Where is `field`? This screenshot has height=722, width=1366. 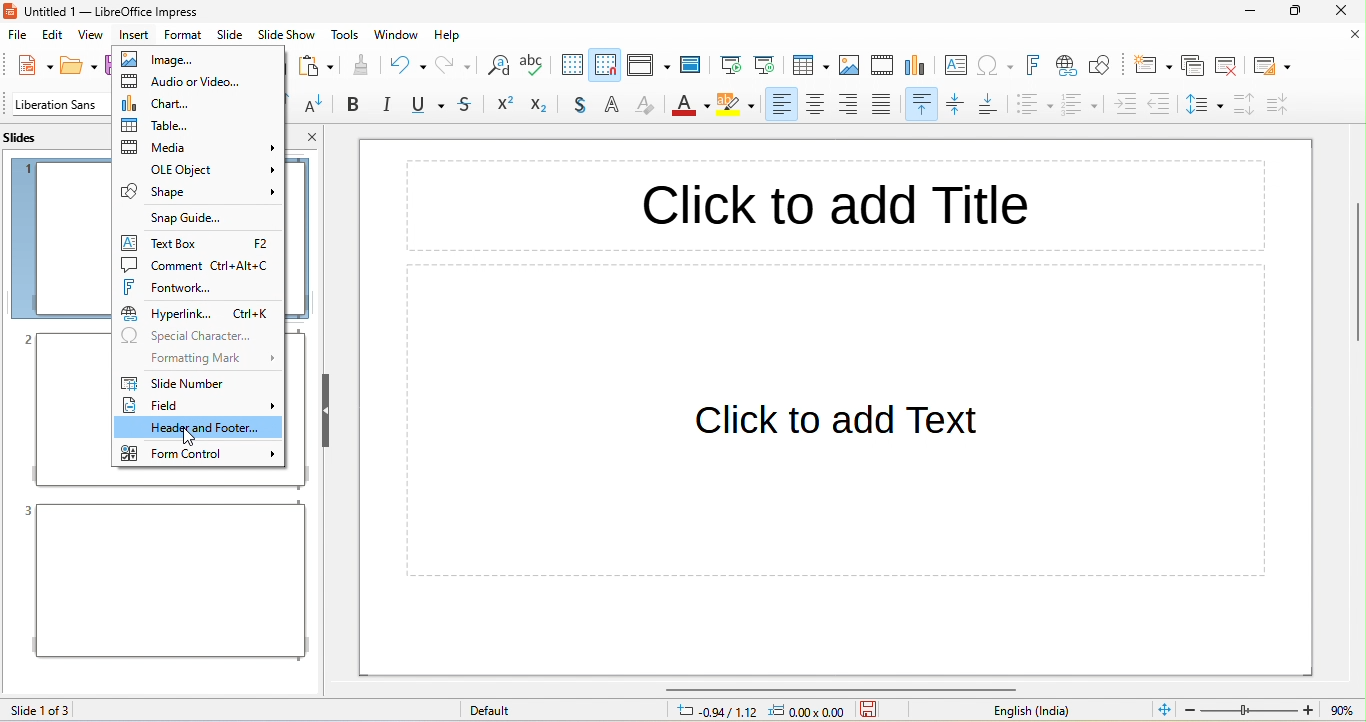
field is located at coordinates (201, 405).